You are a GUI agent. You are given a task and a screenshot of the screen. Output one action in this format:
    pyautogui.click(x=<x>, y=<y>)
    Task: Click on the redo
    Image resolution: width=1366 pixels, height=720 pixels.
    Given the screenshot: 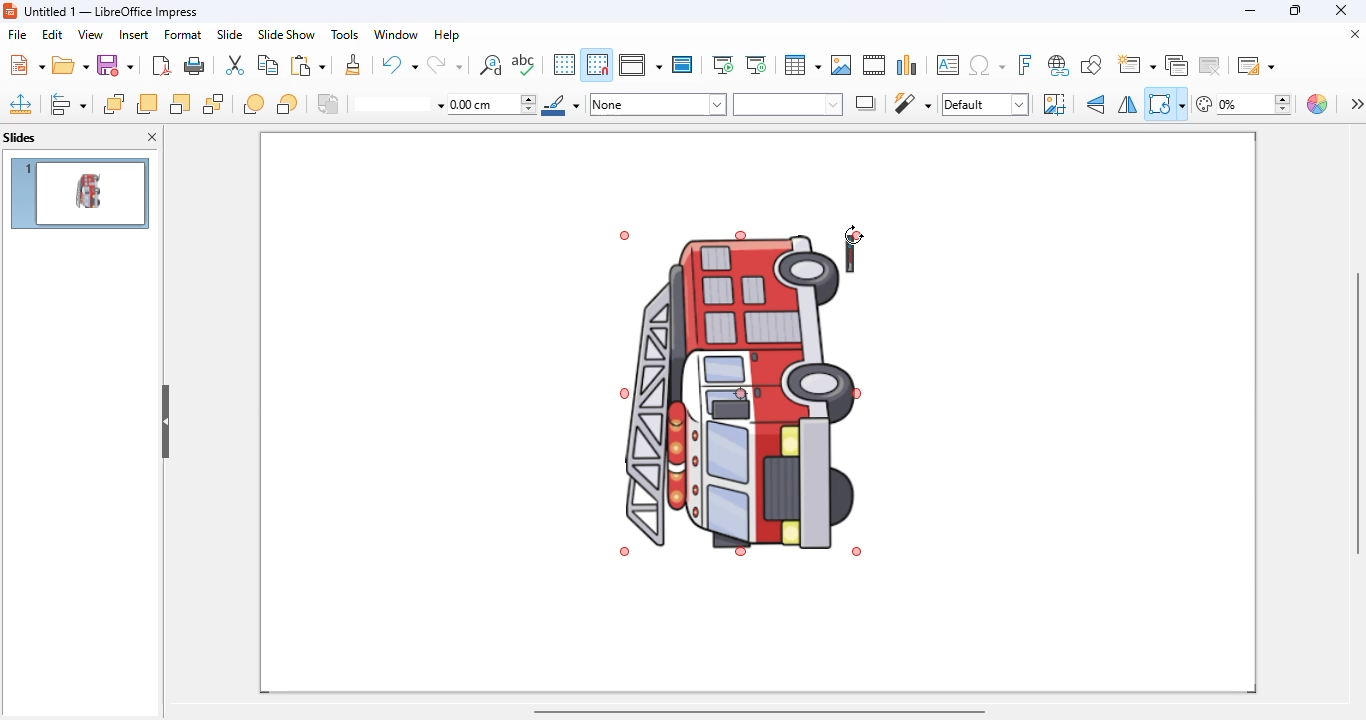 What is the action you would take?
    pyautogui.click(x=444, y=64)
    